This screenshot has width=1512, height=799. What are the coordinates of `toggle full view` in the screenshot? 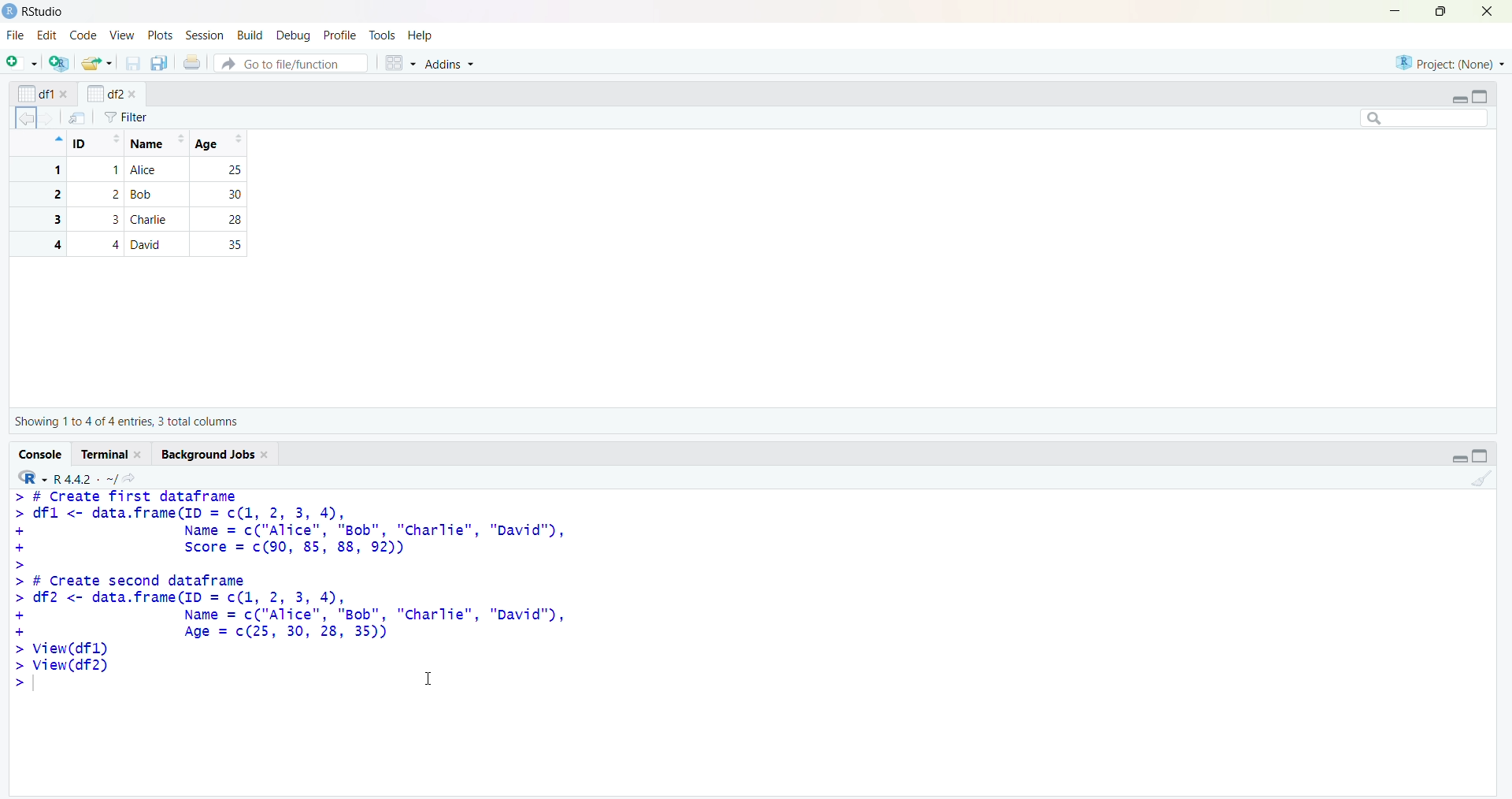 It's located at (1480, 455).